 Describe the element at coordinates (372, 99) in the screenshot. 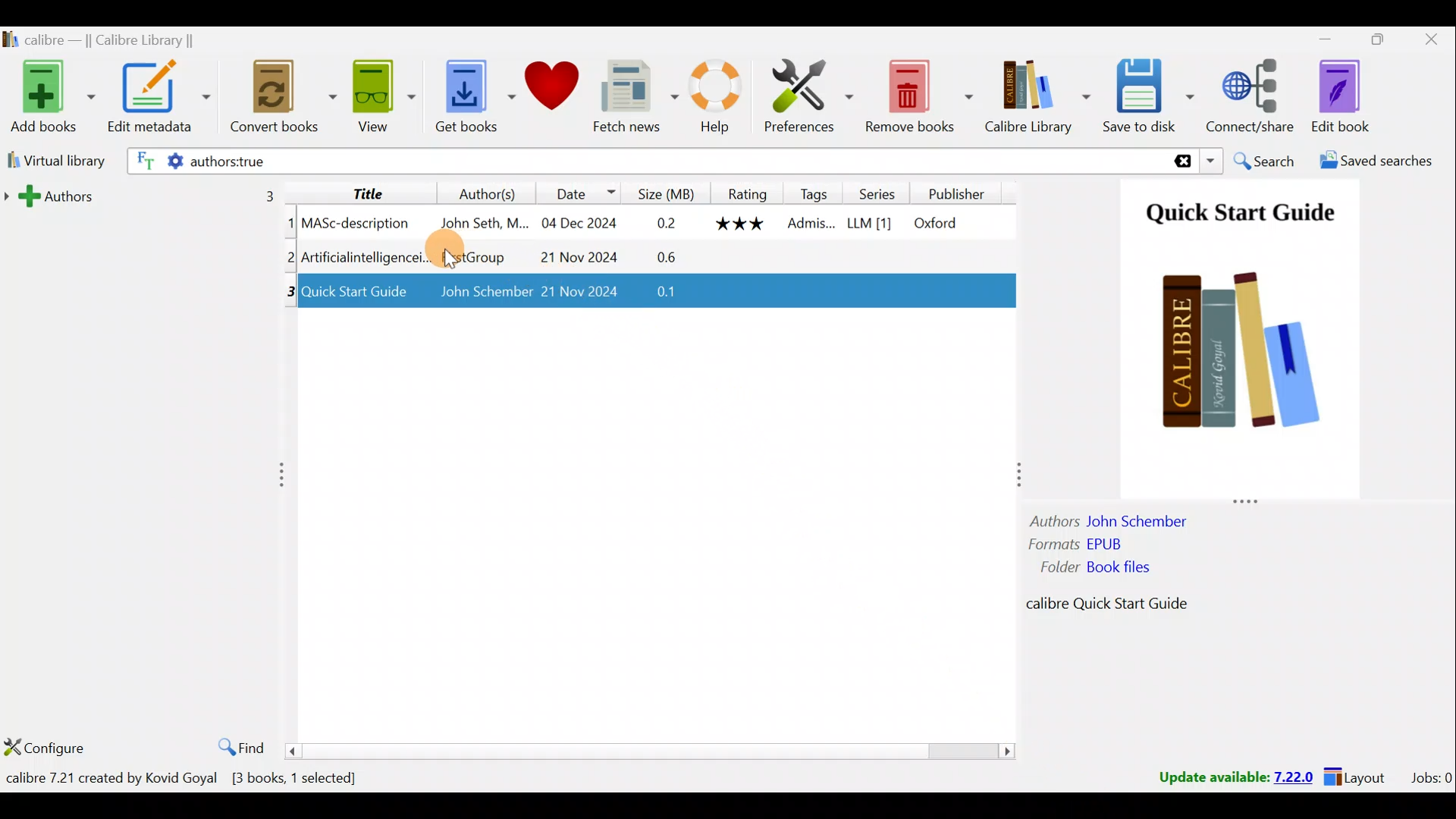

I see `View` at that location.